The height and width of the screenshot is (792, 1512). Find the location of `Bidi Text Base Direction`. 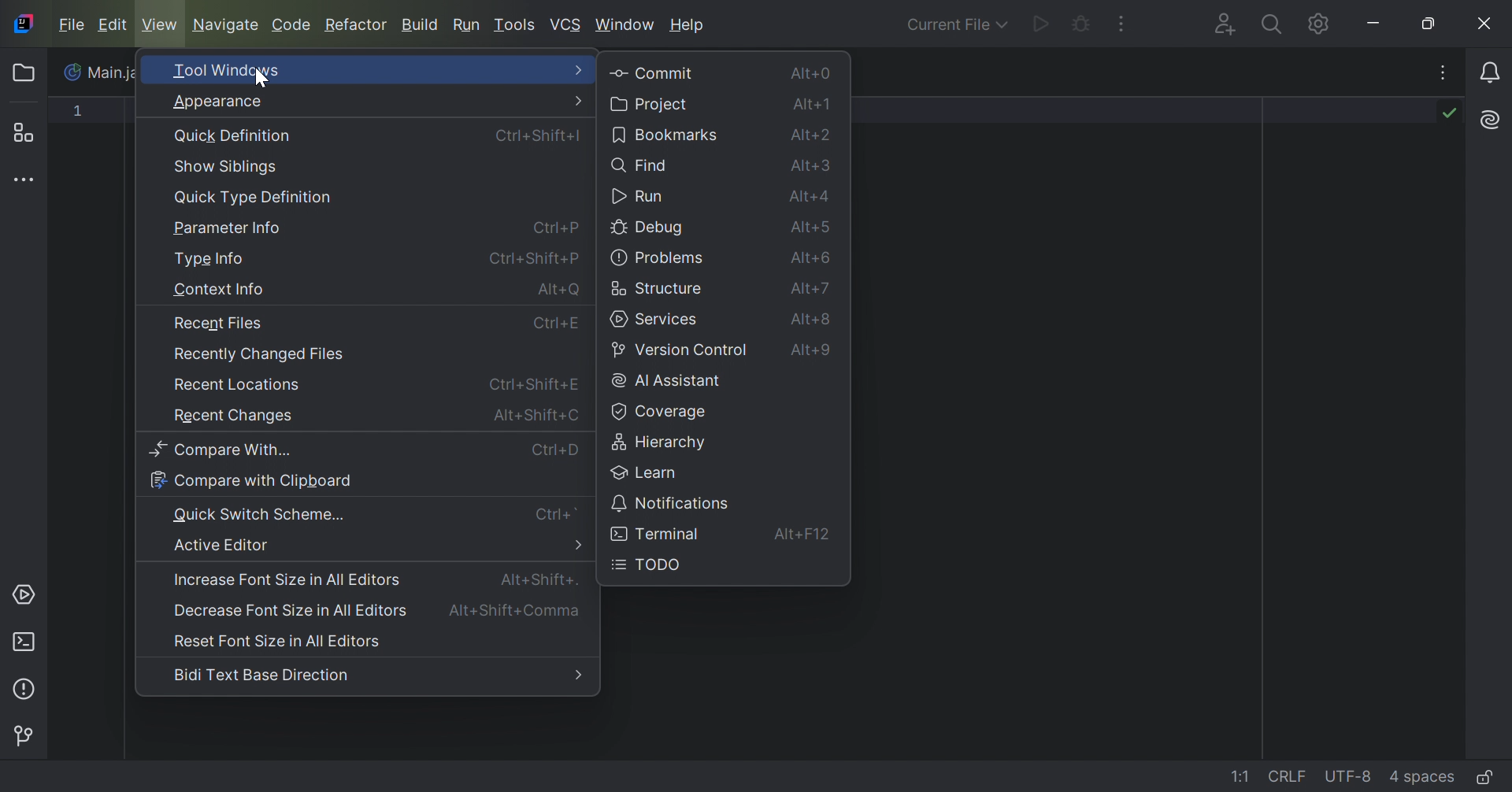

Bidi Text Base Direction is located at coordinates (261, 675).